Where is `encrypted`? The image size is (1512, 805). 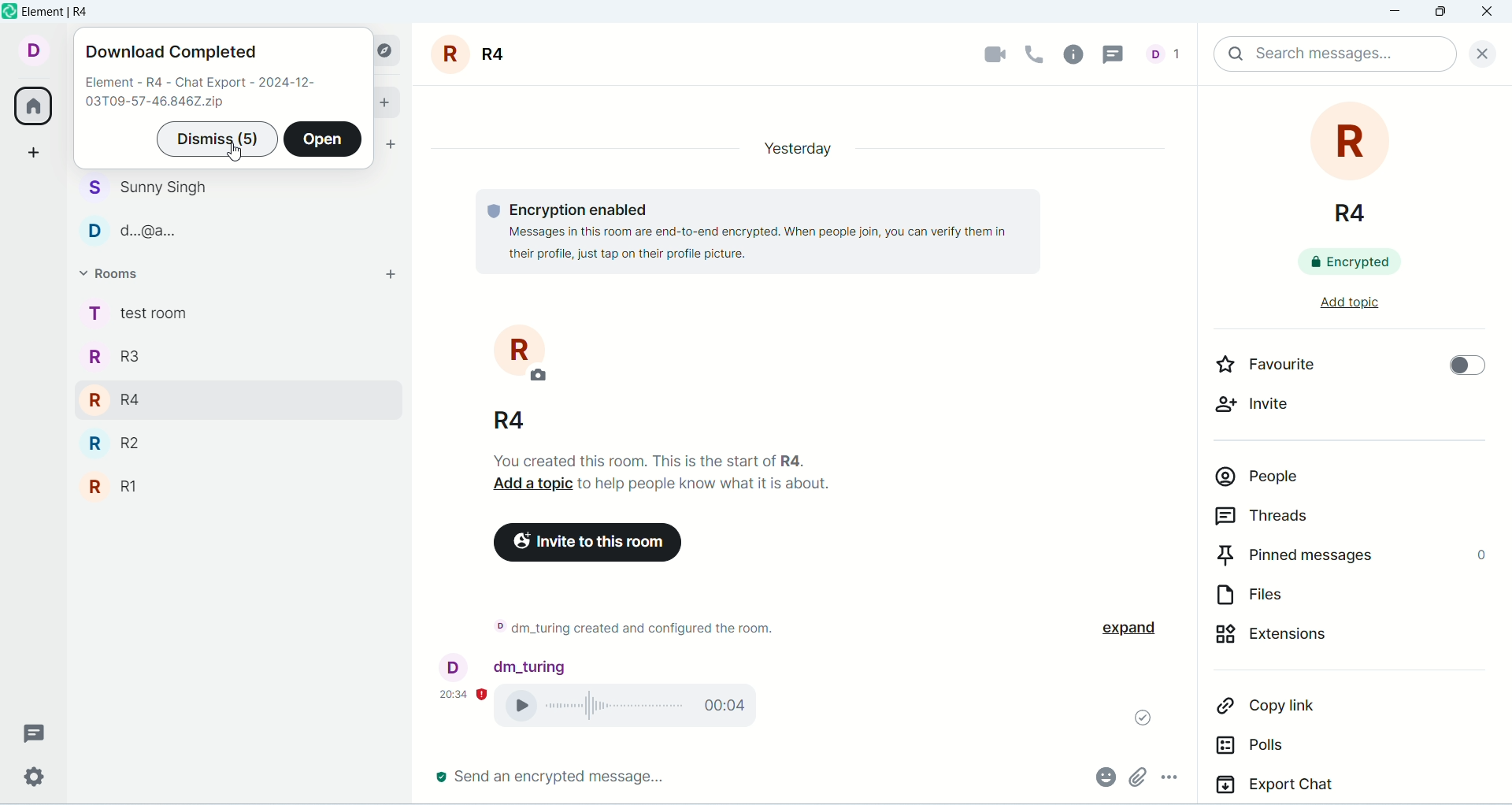 encrypted is located at coordinates (1362, 265).